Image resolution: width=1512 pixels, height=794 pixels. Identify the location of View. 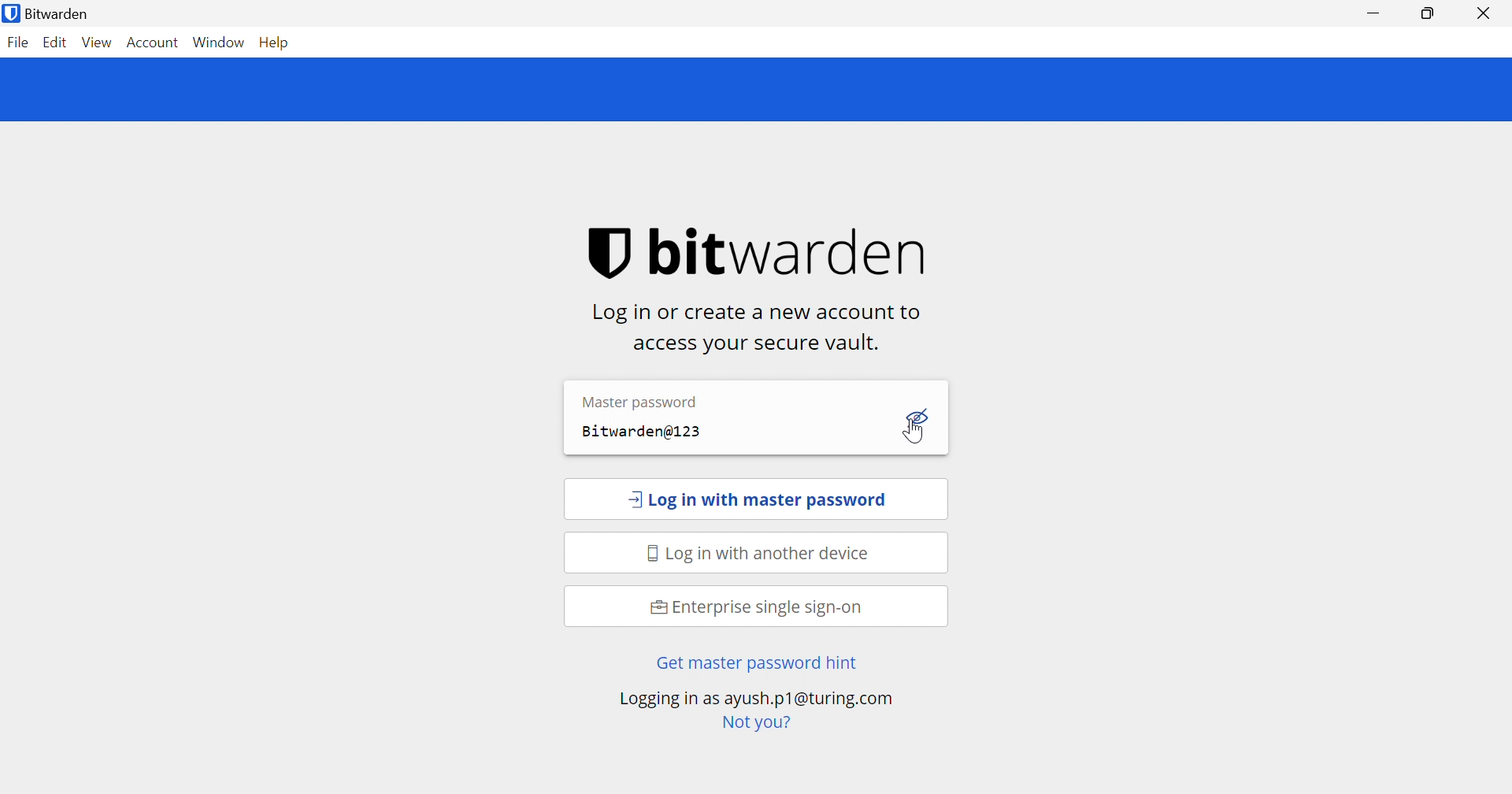
(98, 43).